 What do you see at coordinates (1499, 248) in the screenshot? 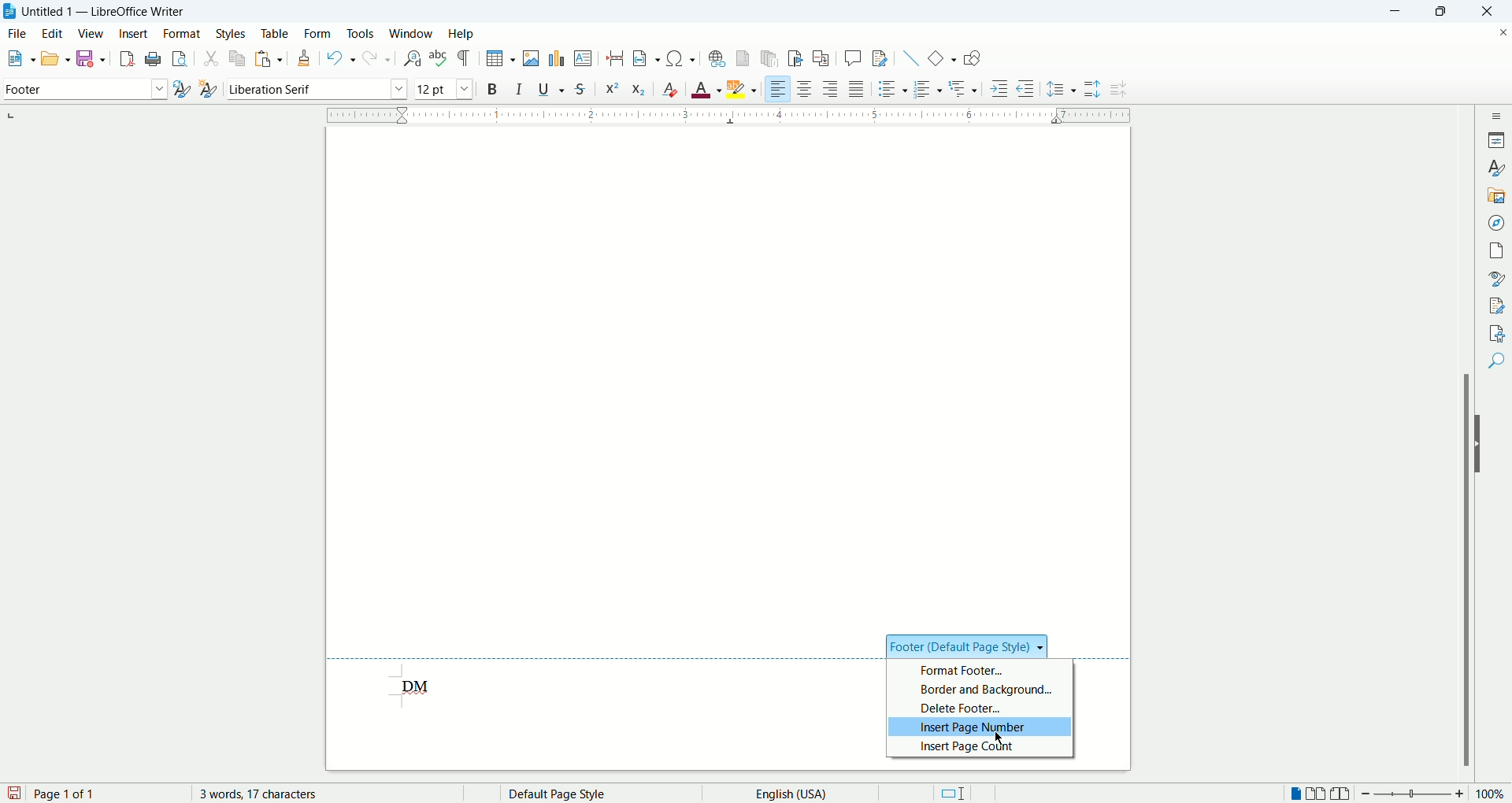
I see `page` at bounding box center [1499, 248].